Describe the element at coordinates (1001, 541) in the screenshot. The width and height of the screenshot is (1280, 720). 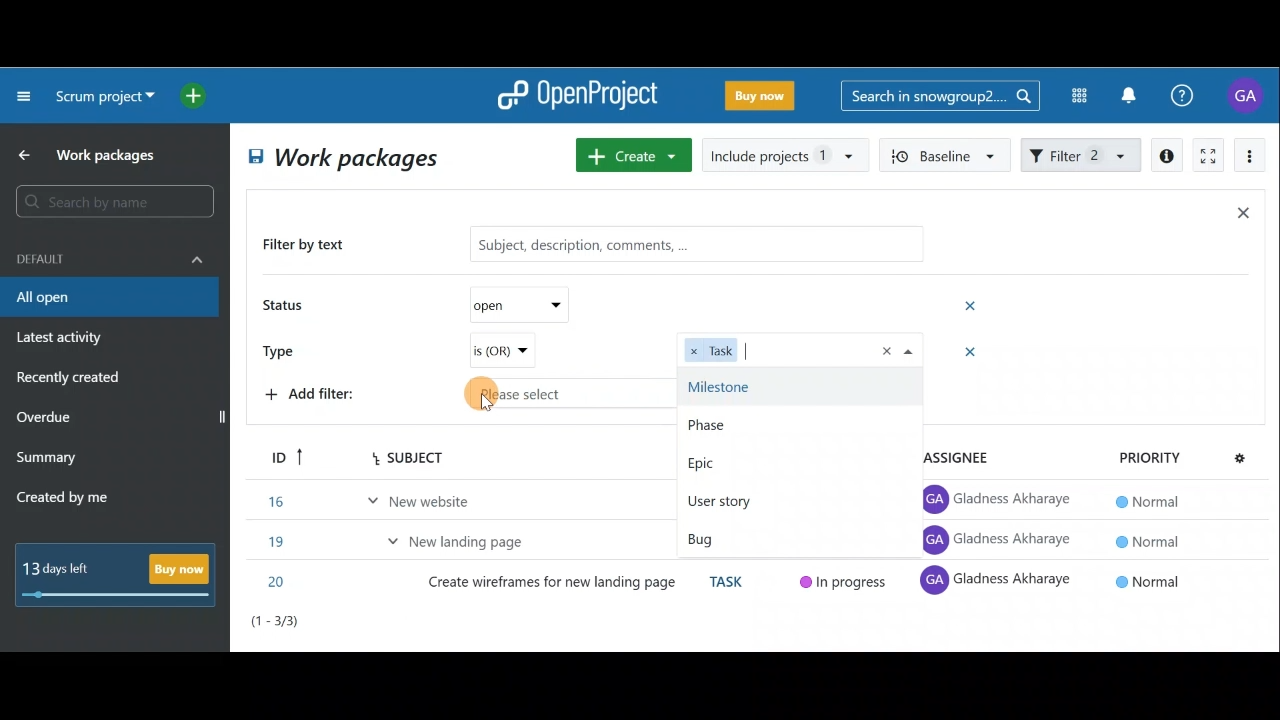
I see `Assignee name` at that location.